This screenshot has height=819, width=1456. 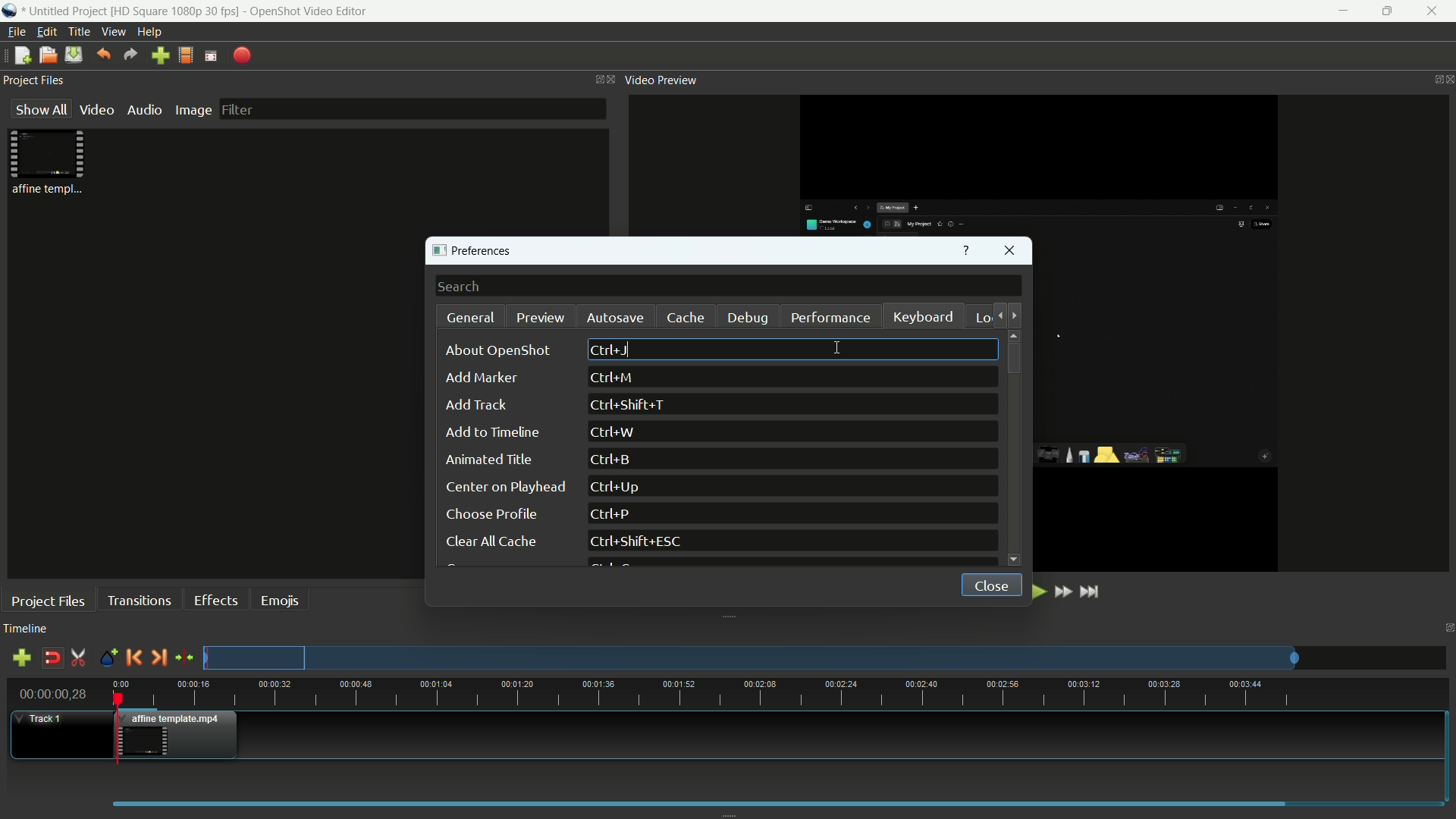 What do you see at coordinates (620, 487) in the screenshot?
I see `keyboard shortcut` at bounding box center [620, 487].